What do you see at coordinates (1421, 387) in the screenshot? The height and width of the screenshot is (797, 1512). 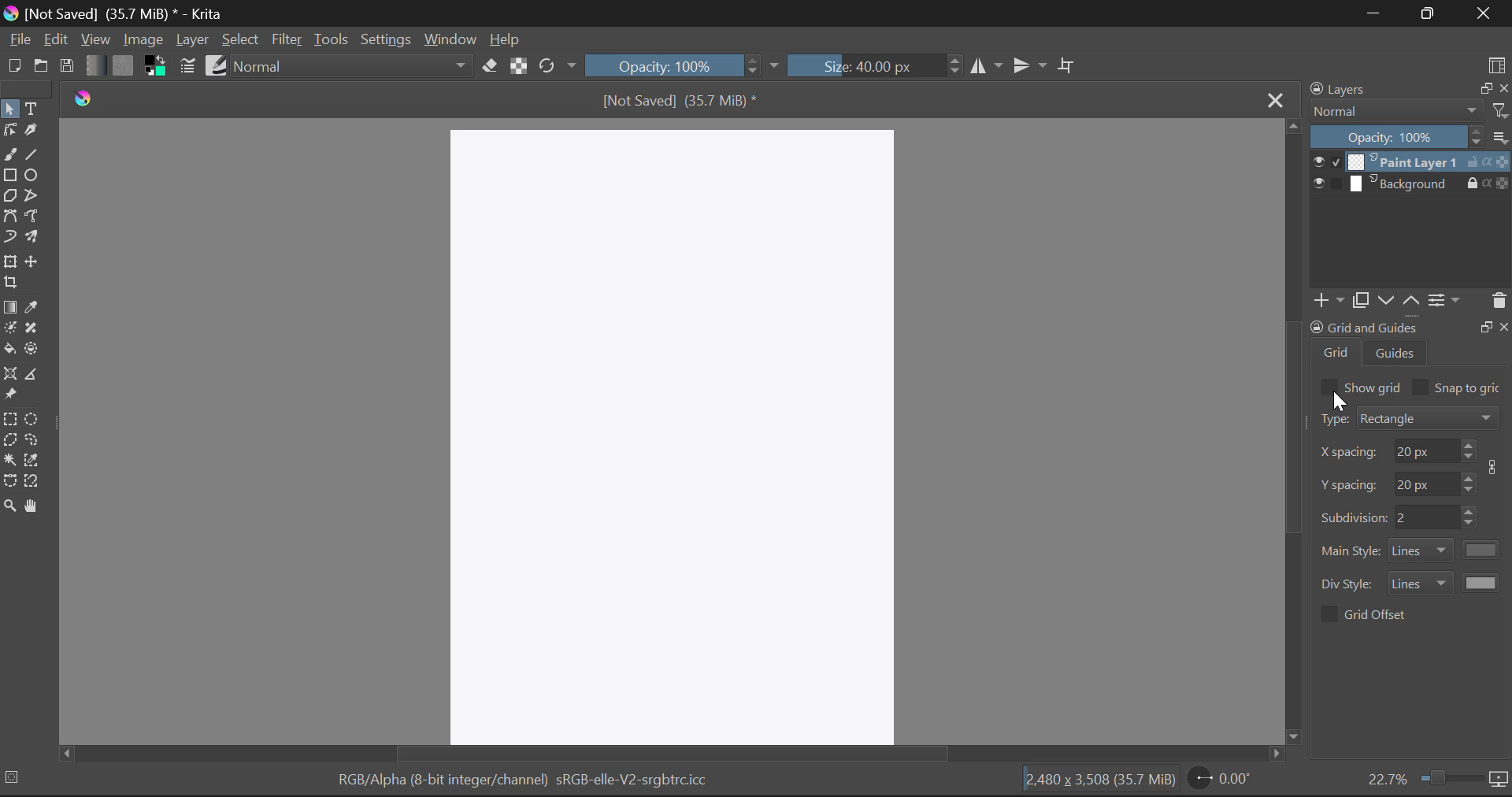 I see `checkbox` at bounding box center [1421, 387].